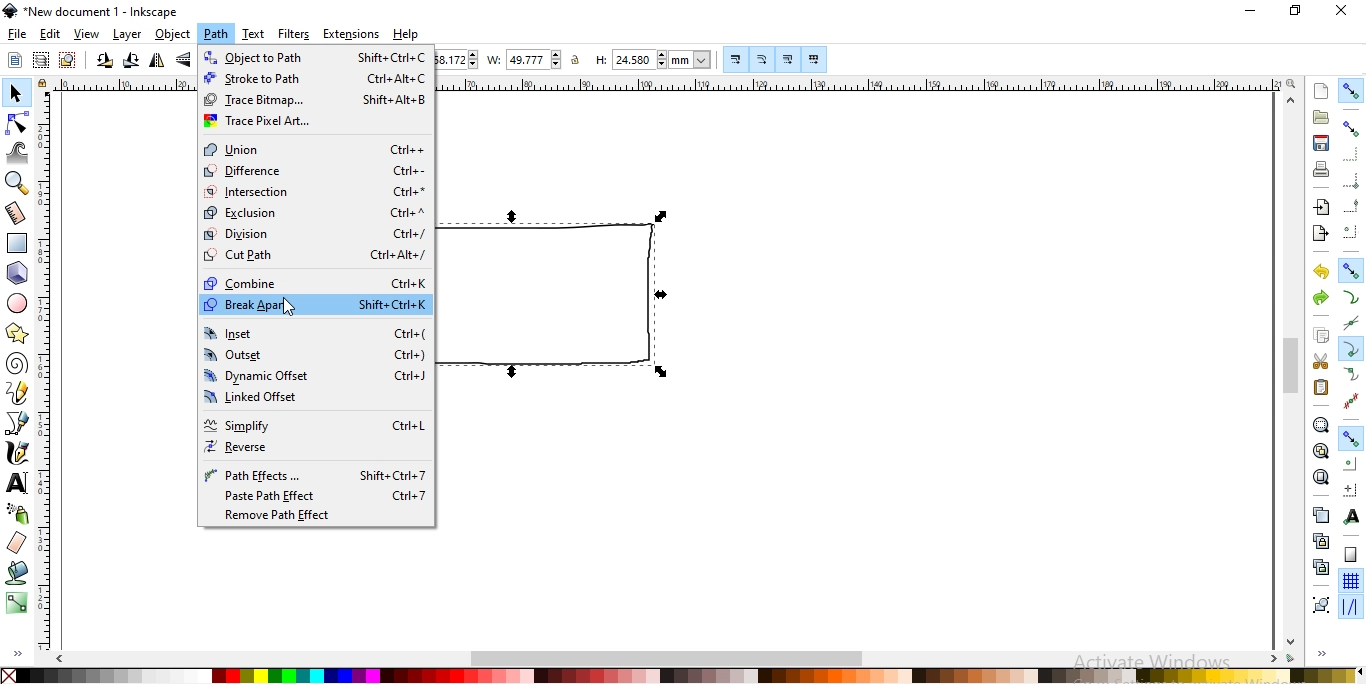 This screenshot has height=684, width=1366. What do you see at coordinates (19, 543) in the screenshot?
I see `erase existing paths` at bounding box center [19, 543].